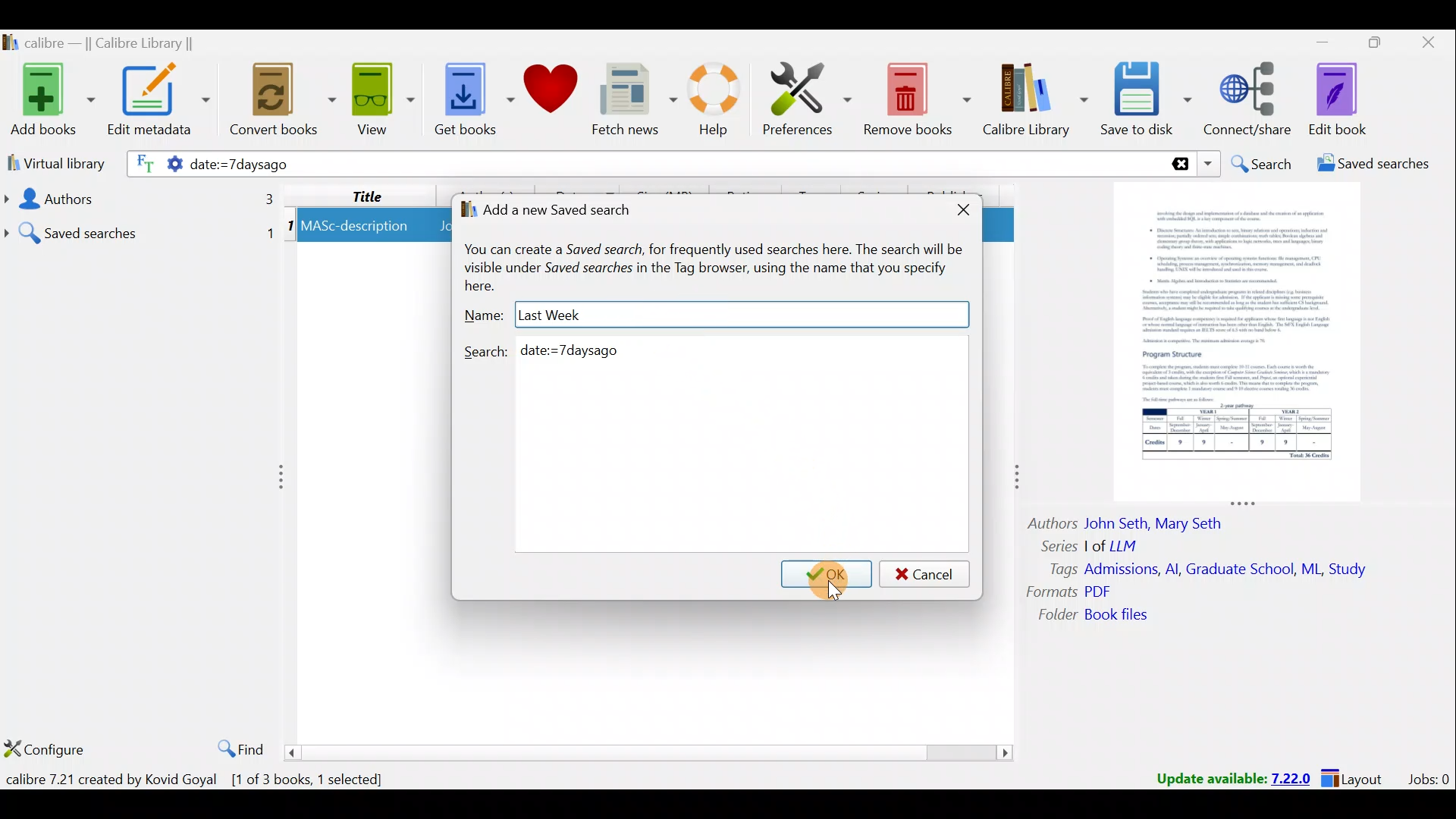 The image size is (1456, 819). Describe the element at coordinates (1368, 45) in the screenshot. I see `Maximize` at that location.